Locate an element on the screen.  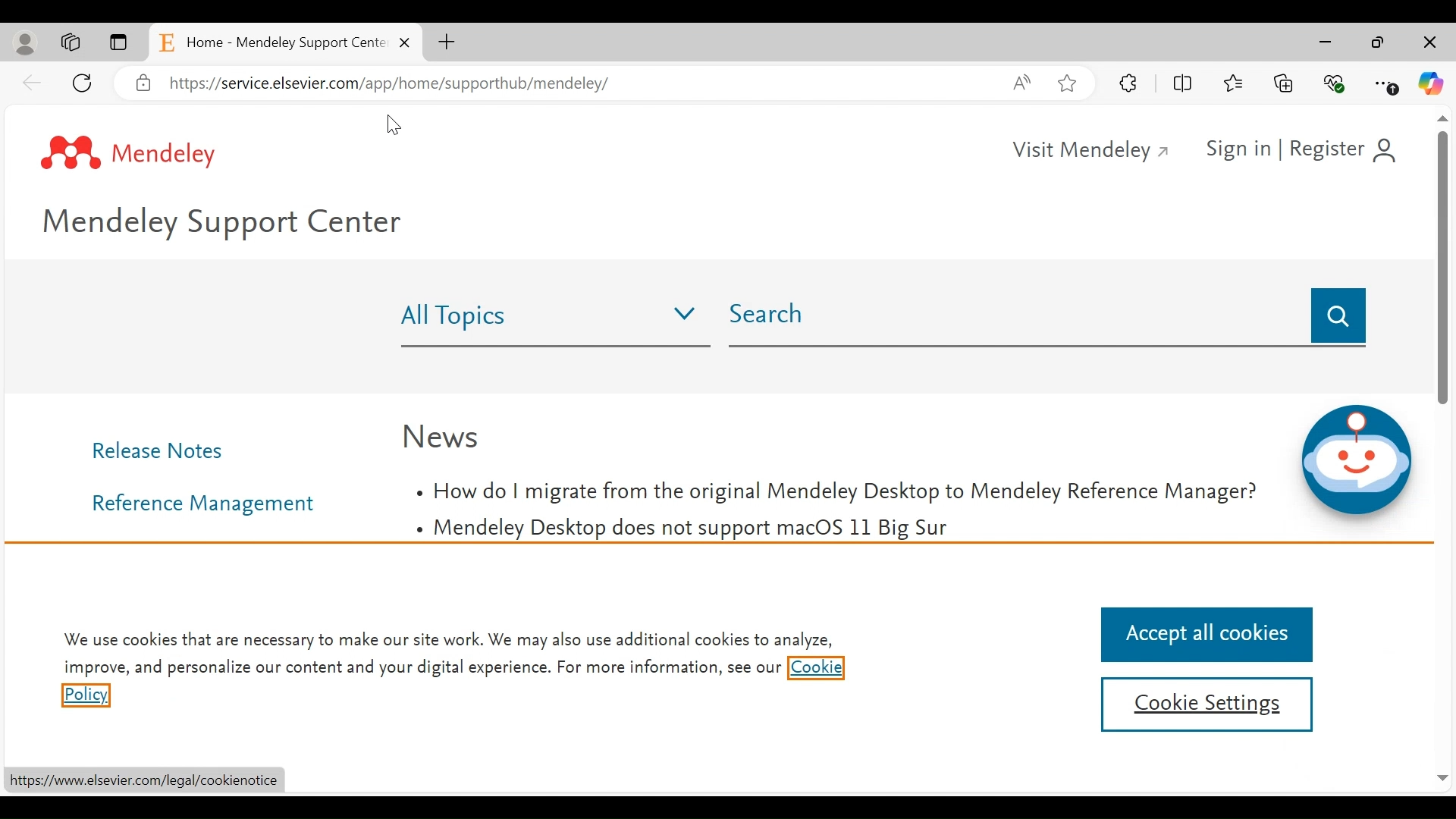
Mendeley Support Center is located at coordinates (231, 226).